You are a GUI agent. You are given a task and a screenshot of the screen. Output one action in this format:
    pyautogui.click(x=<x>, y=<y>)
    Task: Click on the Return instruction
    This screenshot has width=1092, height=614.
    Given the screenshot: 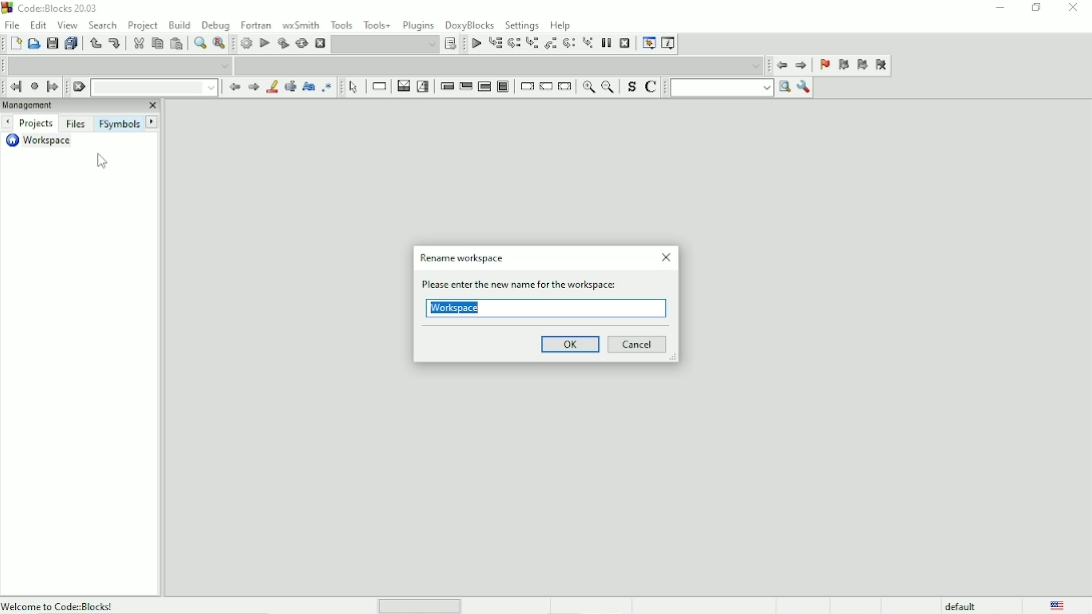 What is the action you would take?
    pyautogui.click(x=565, y=87)
    